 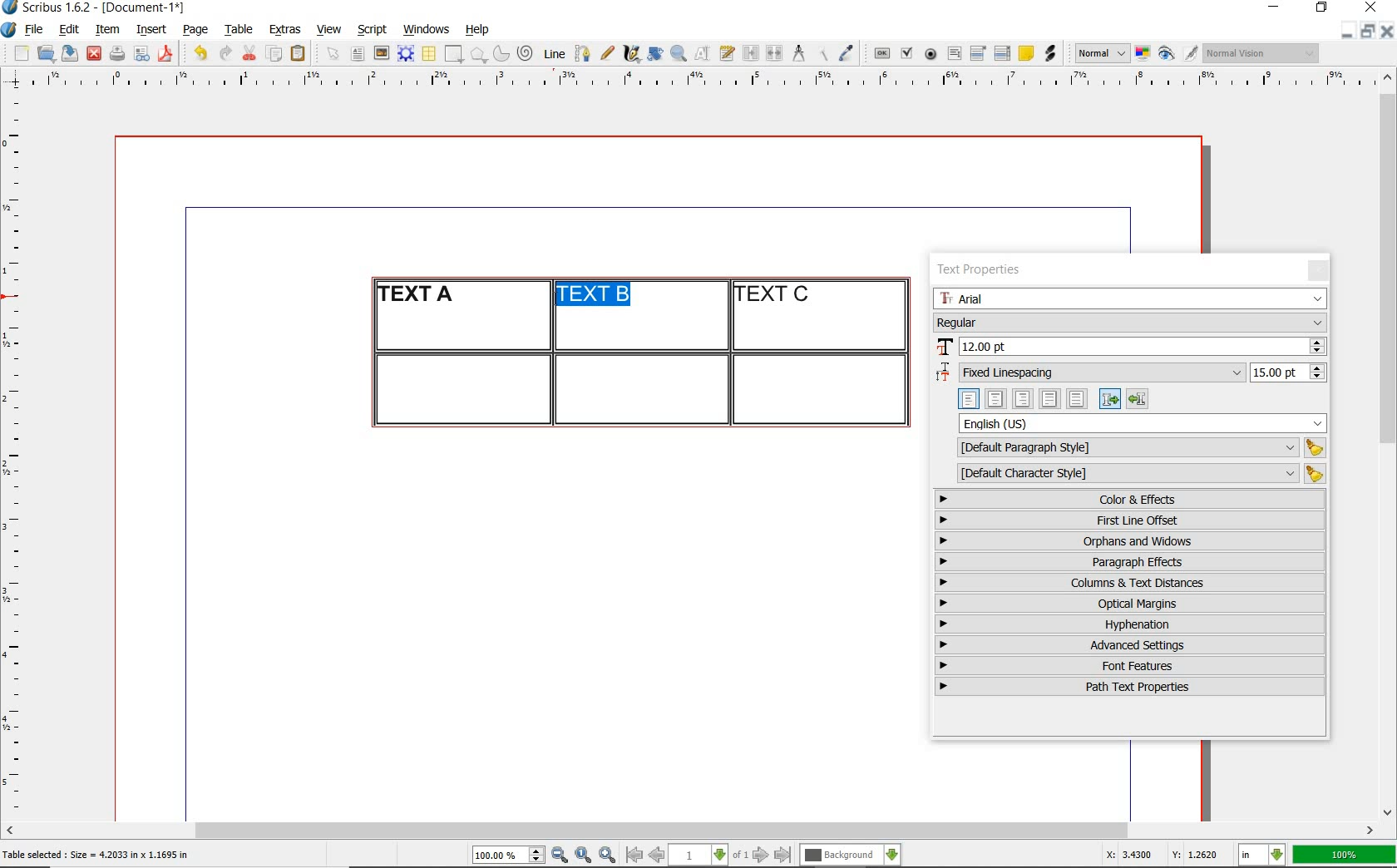 I want to click on save, so click(x=67, y=53).